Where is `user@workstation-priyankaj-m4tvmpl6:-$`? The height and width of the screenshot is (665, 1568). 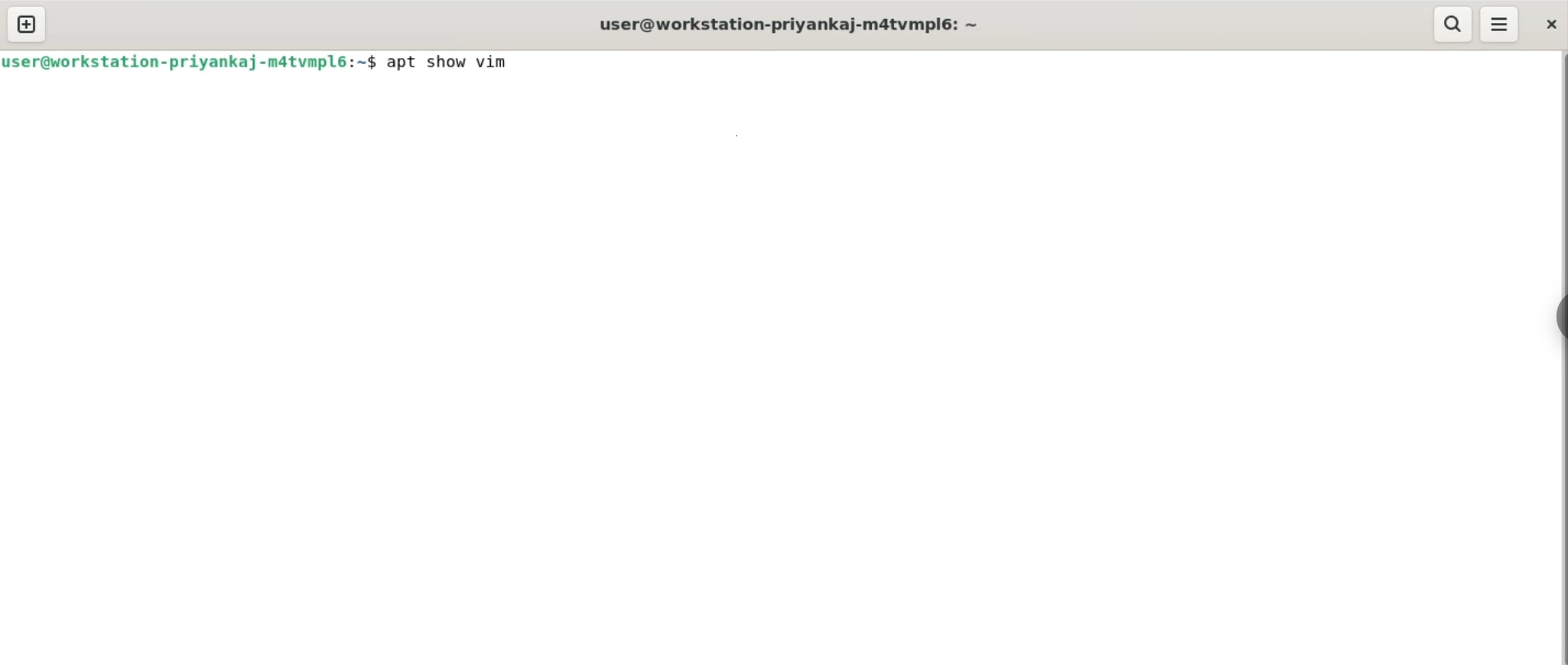
user@workstation-priyankaj-m4tvmpl6:-$ is located at coordinates (190, 62).